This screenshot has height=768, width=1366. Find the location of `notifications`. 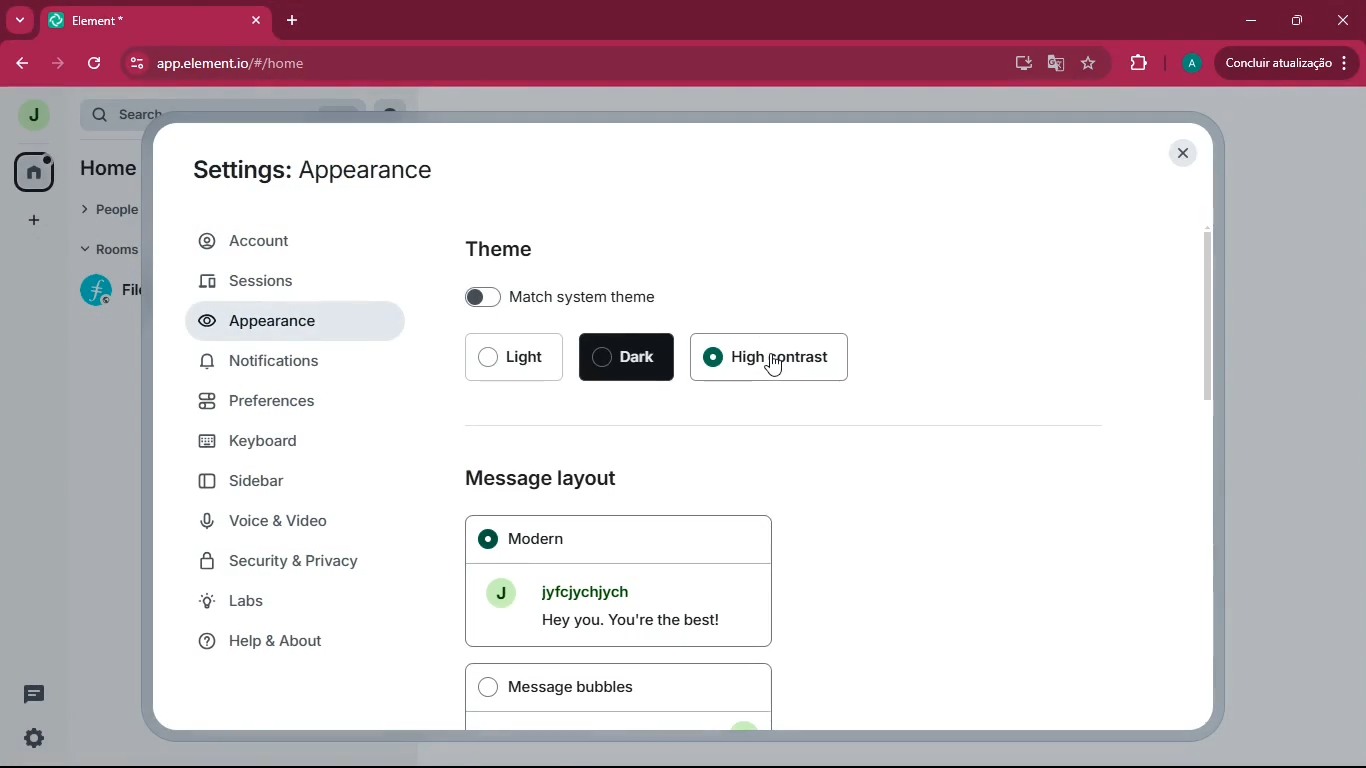

notifications is located at coordinates (296, 363).